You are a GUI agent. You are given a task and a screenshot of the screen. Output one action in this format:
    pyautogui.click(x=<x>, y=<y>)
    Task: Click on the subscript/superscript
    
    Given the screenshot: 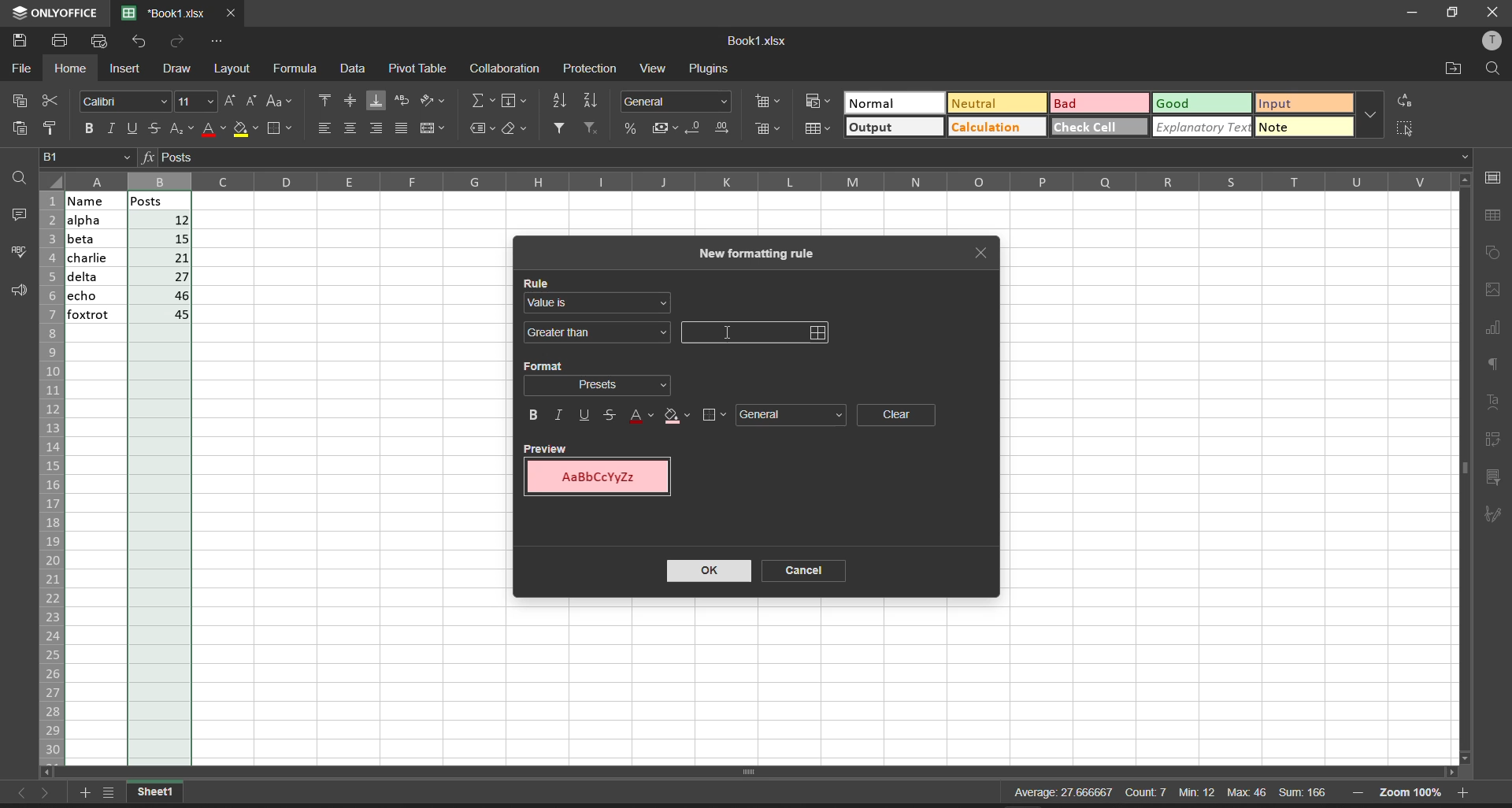 What is the action you would take?
    pyautogui.click(x=182, y=129)
    